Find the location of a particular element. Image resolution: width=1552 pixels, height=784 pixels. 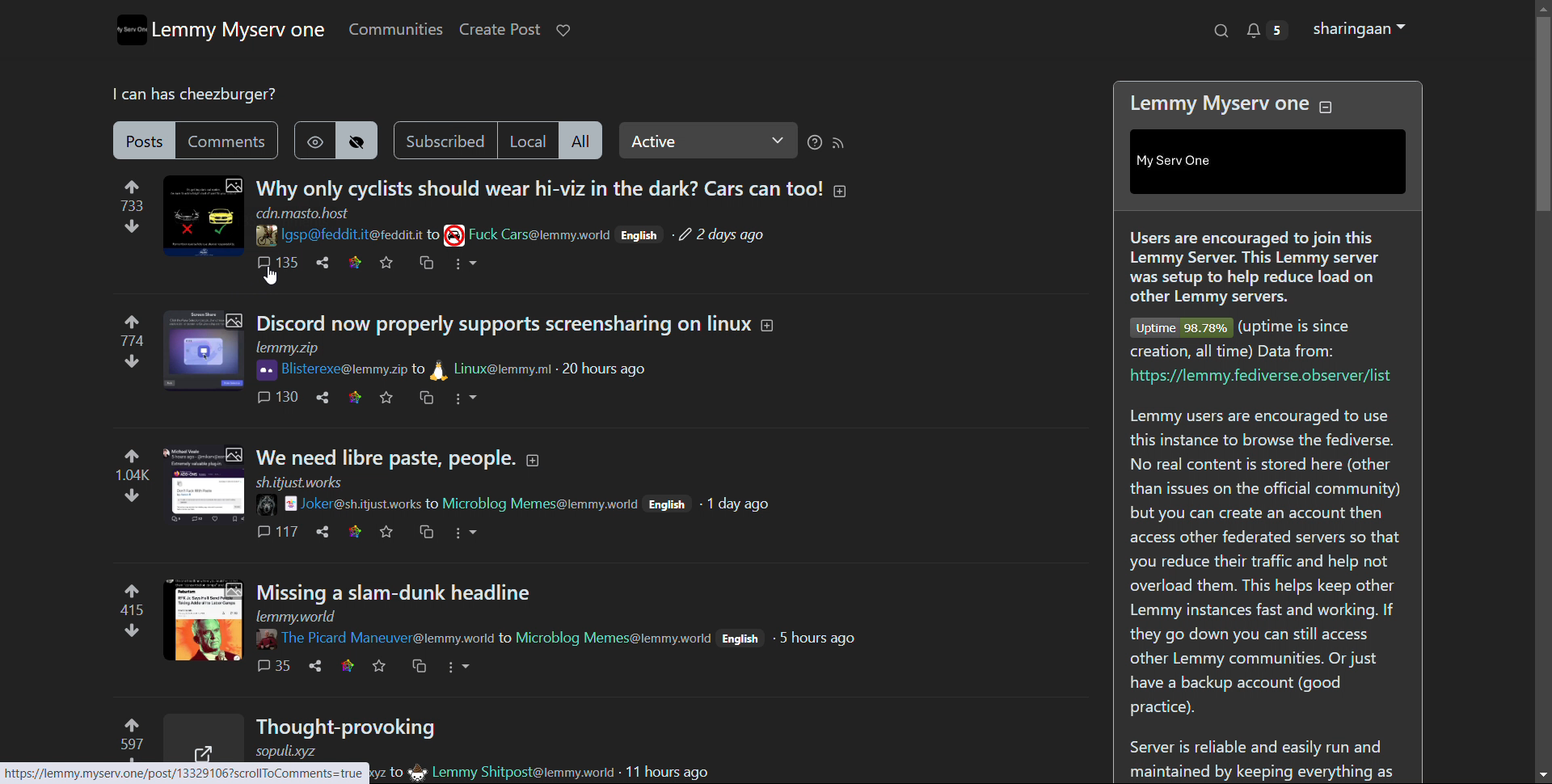

create post is located at coordinates (499, 30).